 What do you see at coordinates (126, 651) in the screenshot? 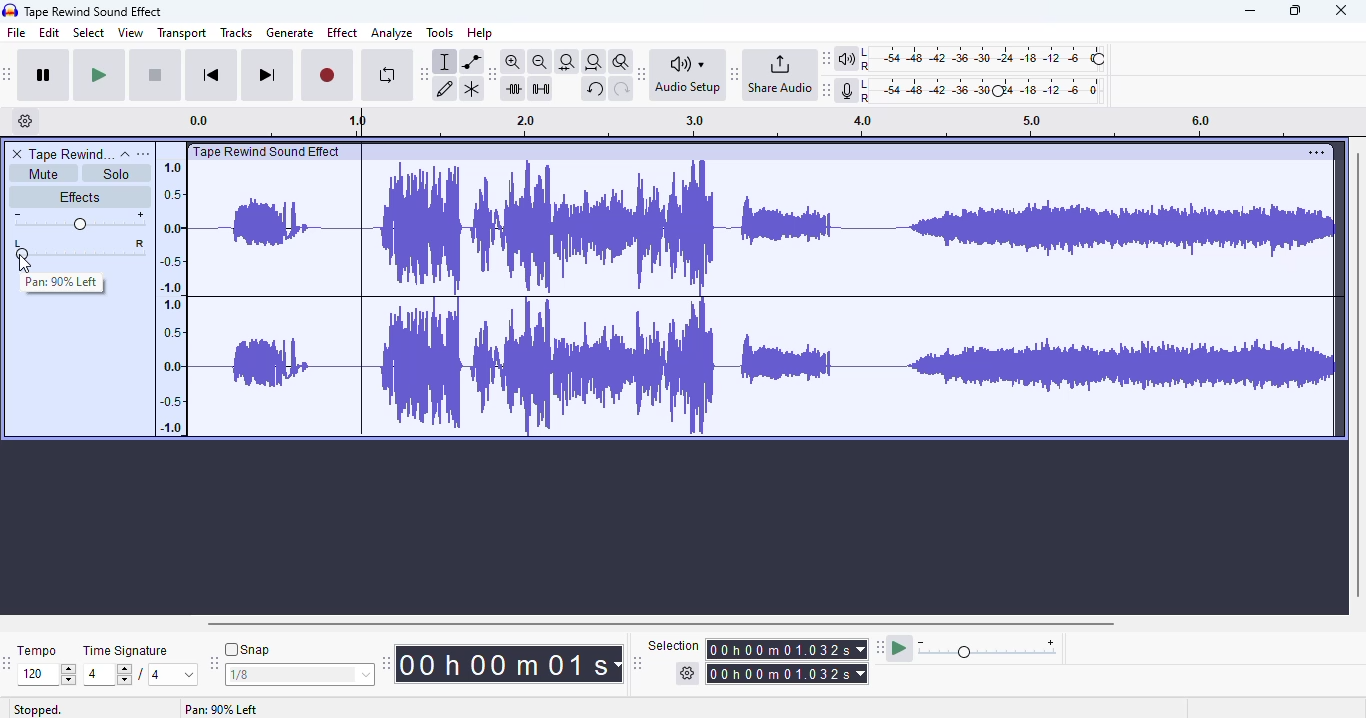
I see `time signature` at bounding box center [126, 651].